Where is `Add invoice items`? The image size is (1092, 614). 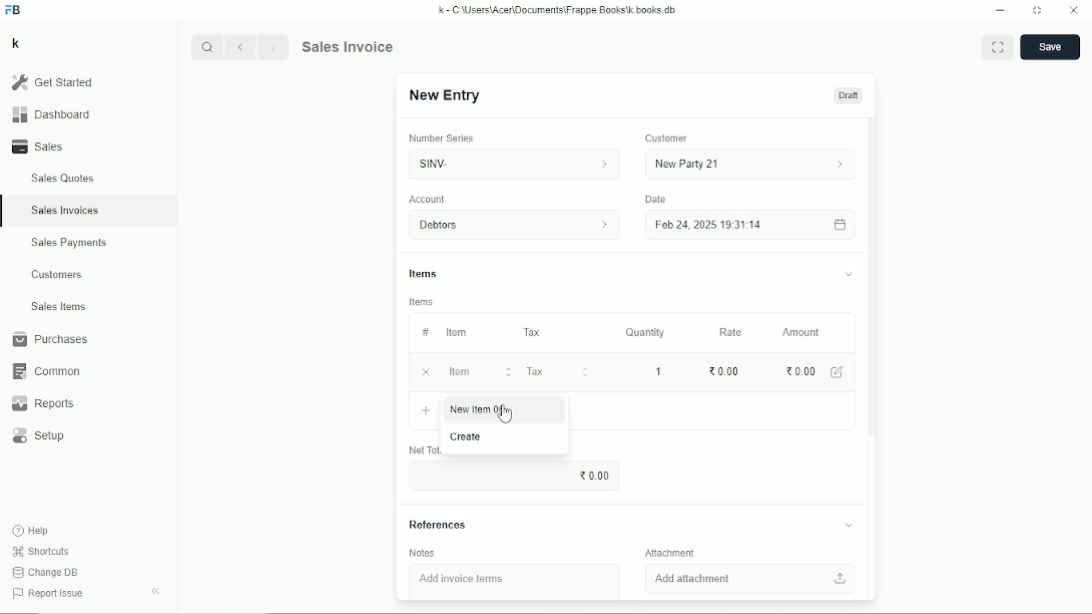 Add invoice items is located at coordinates (461, 580).